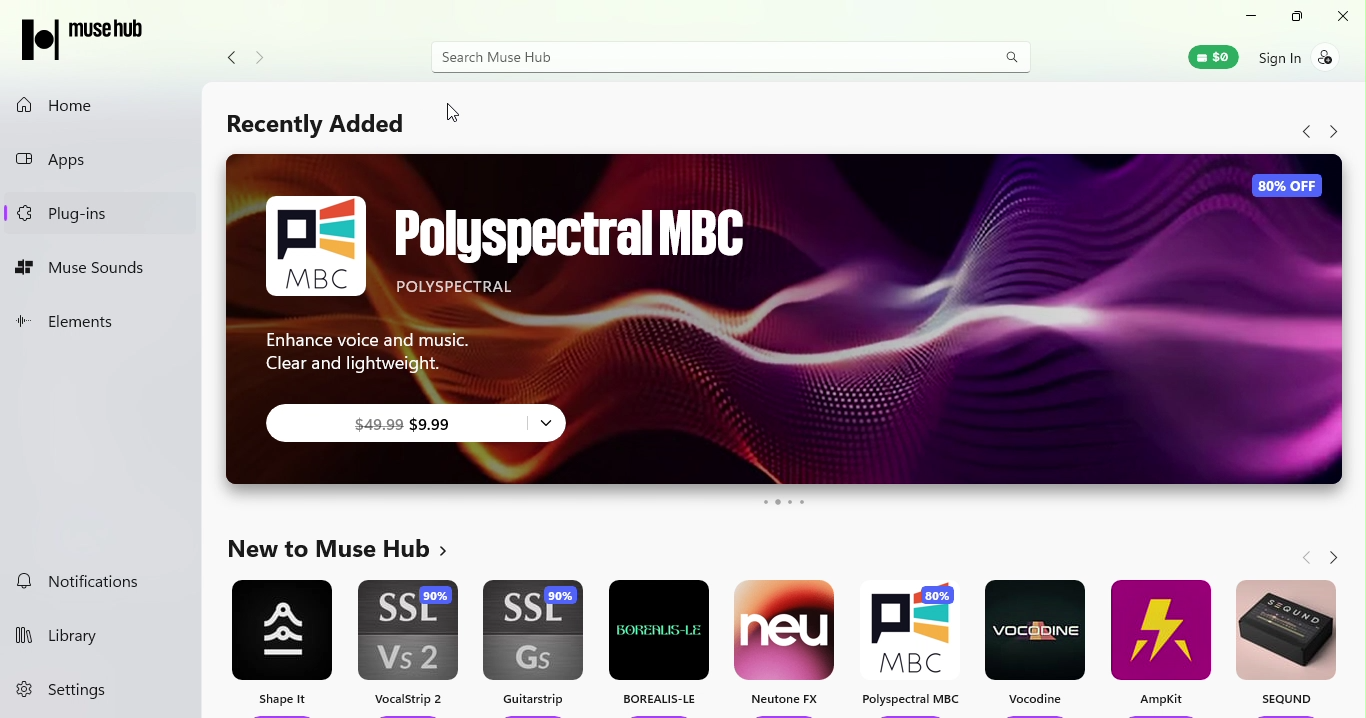 The width and height of the screenshot is (1366, 718). Describe the element at coordinates (1334, 557) in the screenshot. I see `Navigate forward` at that location.